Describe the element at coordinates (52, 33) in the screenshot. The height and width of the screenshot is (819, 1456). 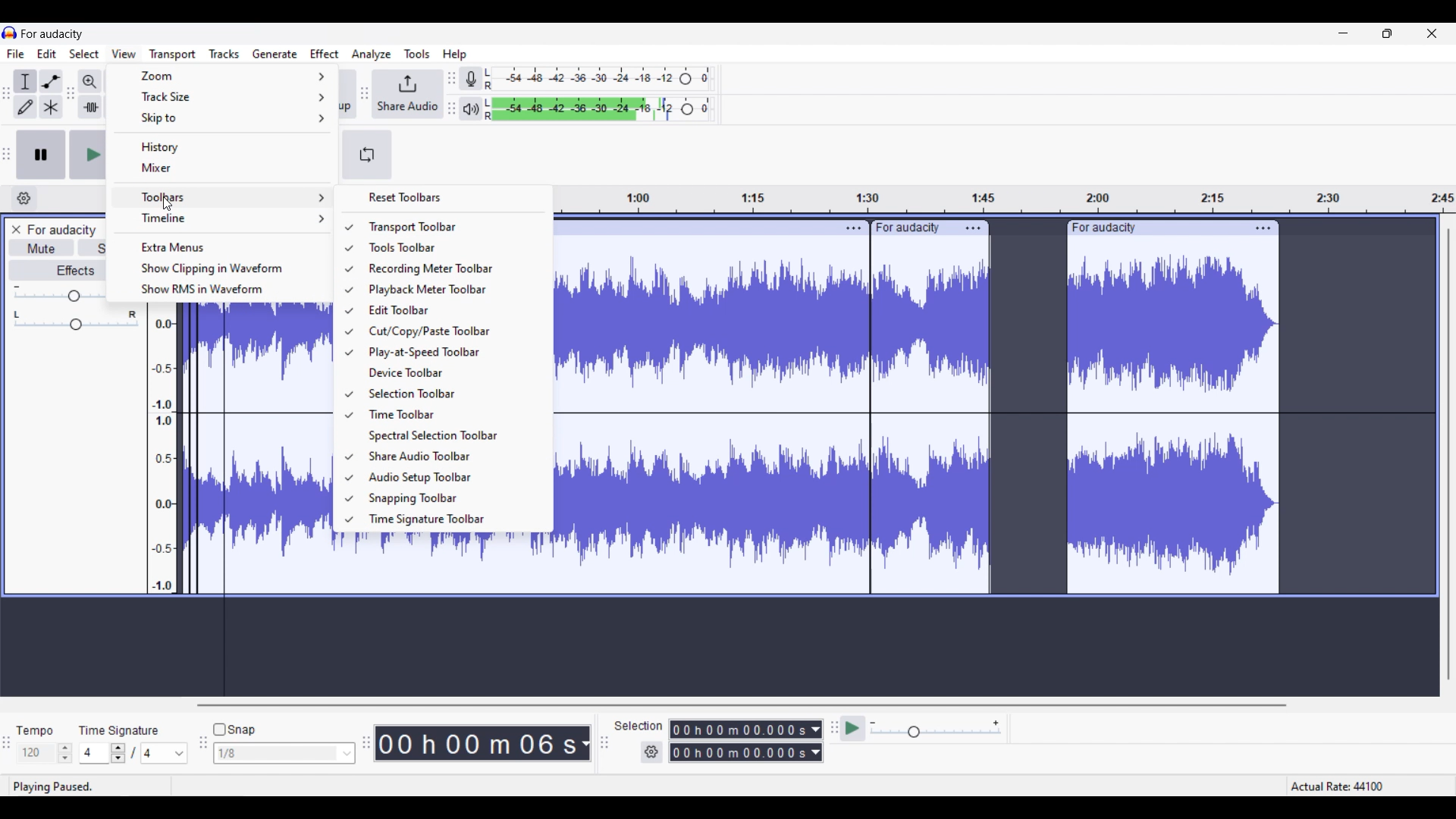
I see `For audacity` at that location.